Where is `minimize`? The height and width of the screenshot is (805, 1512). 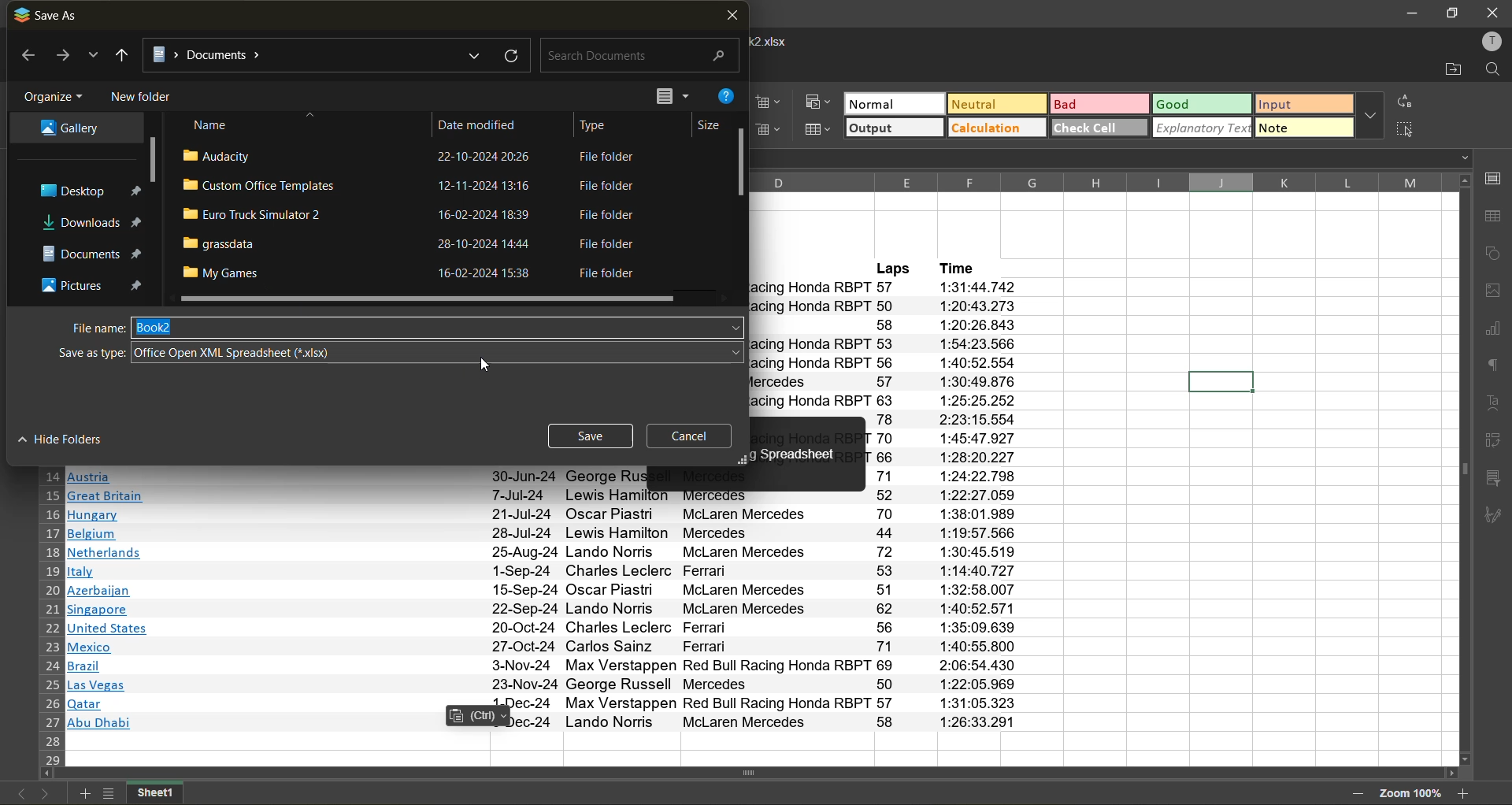
minimize is located at coordinates (1411, 14).